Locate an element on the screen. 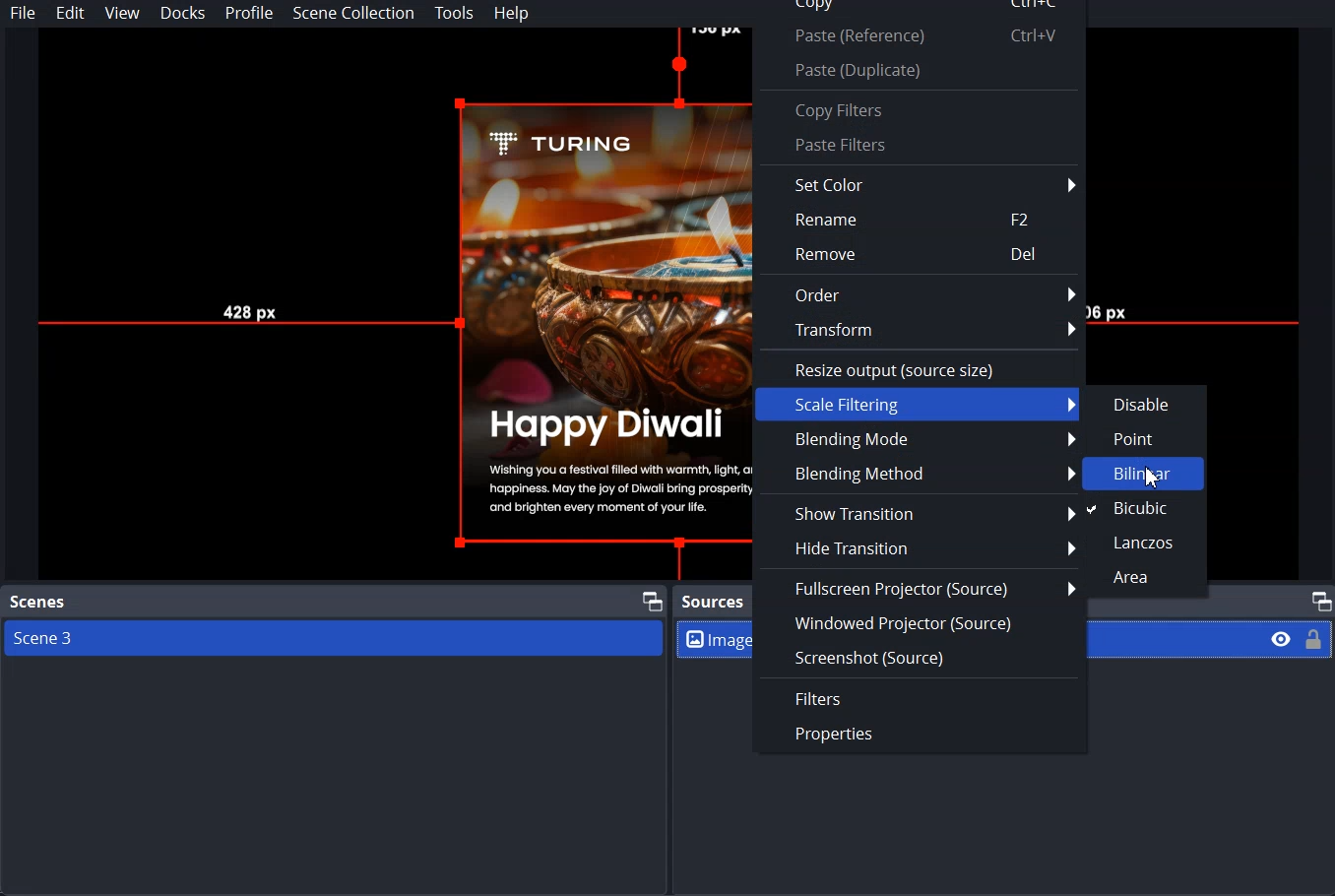 The image size is (1335, 896). Properties is located at coordinates (920, 736).